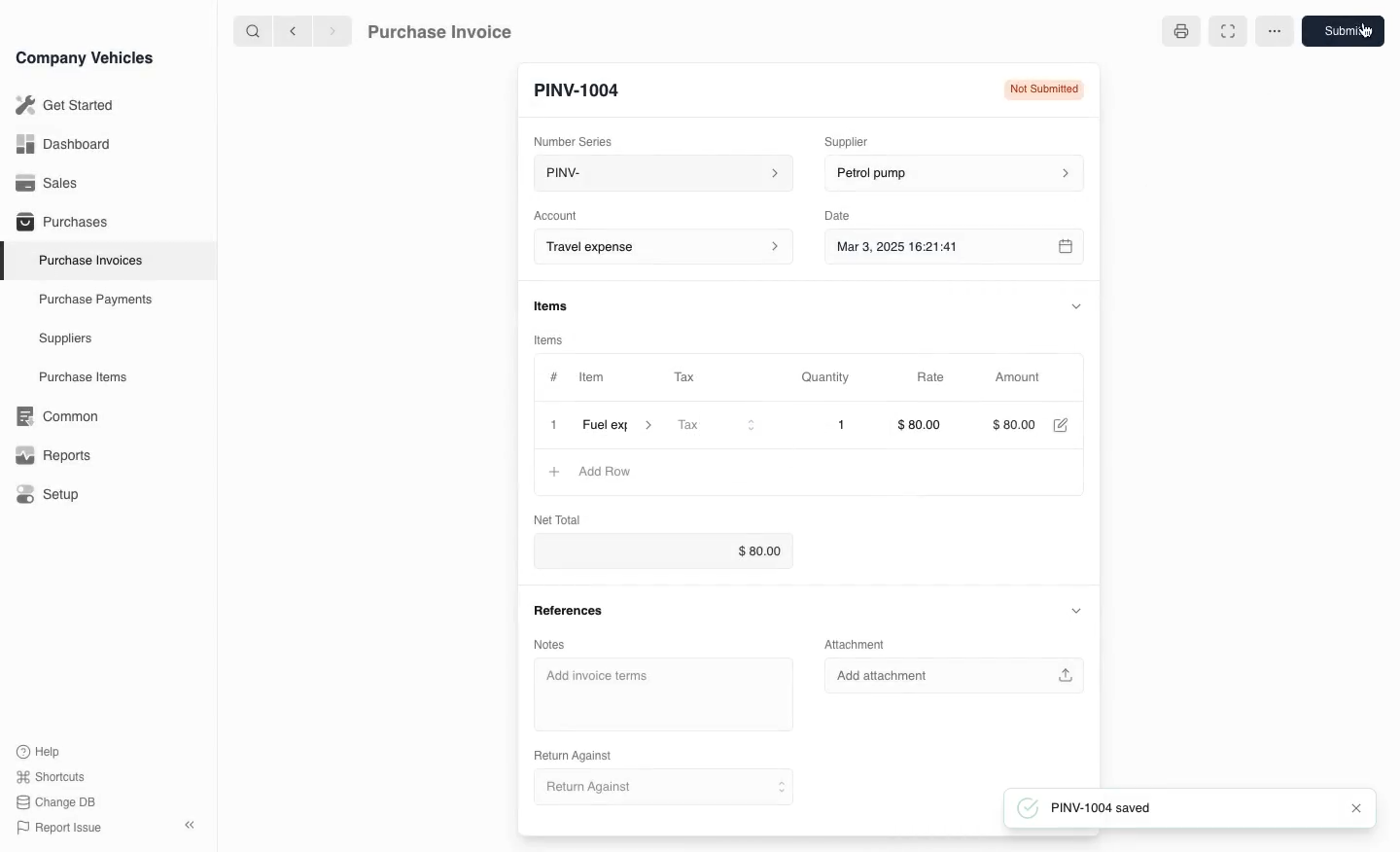  I want to click on Suppliers, so click(64, 339).